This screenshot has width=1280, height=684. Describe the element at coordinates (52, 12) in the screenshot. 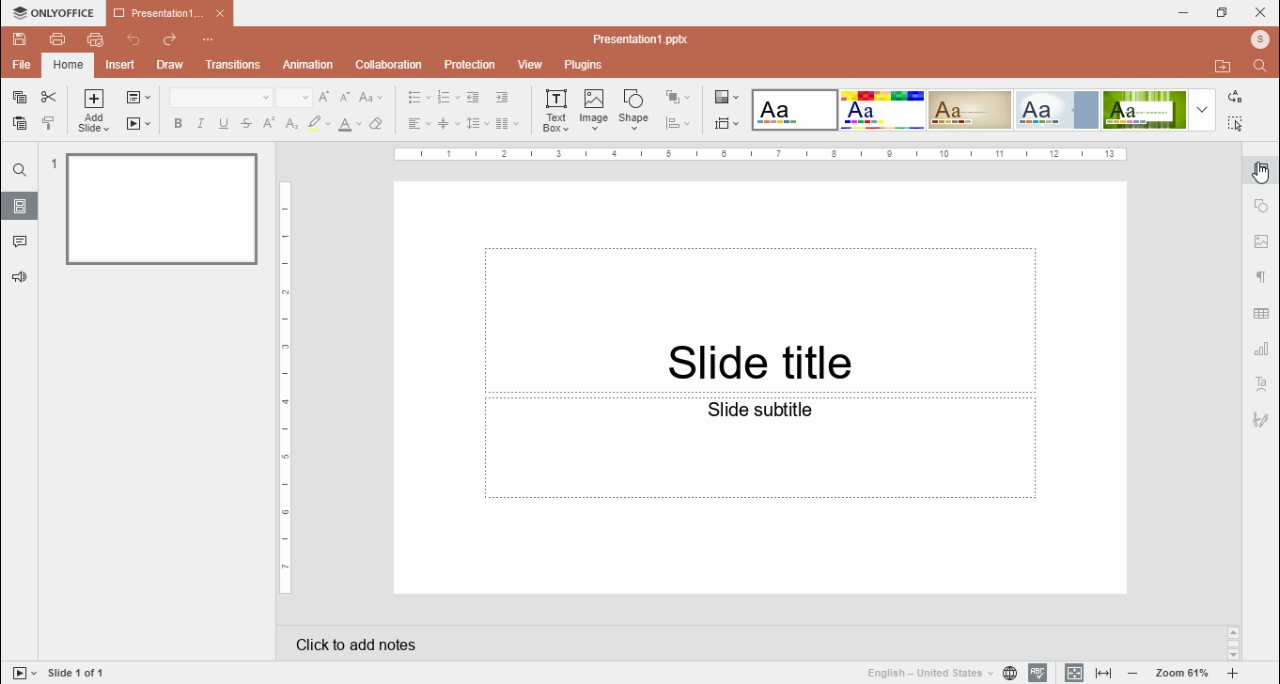

I see `icon` at that location.